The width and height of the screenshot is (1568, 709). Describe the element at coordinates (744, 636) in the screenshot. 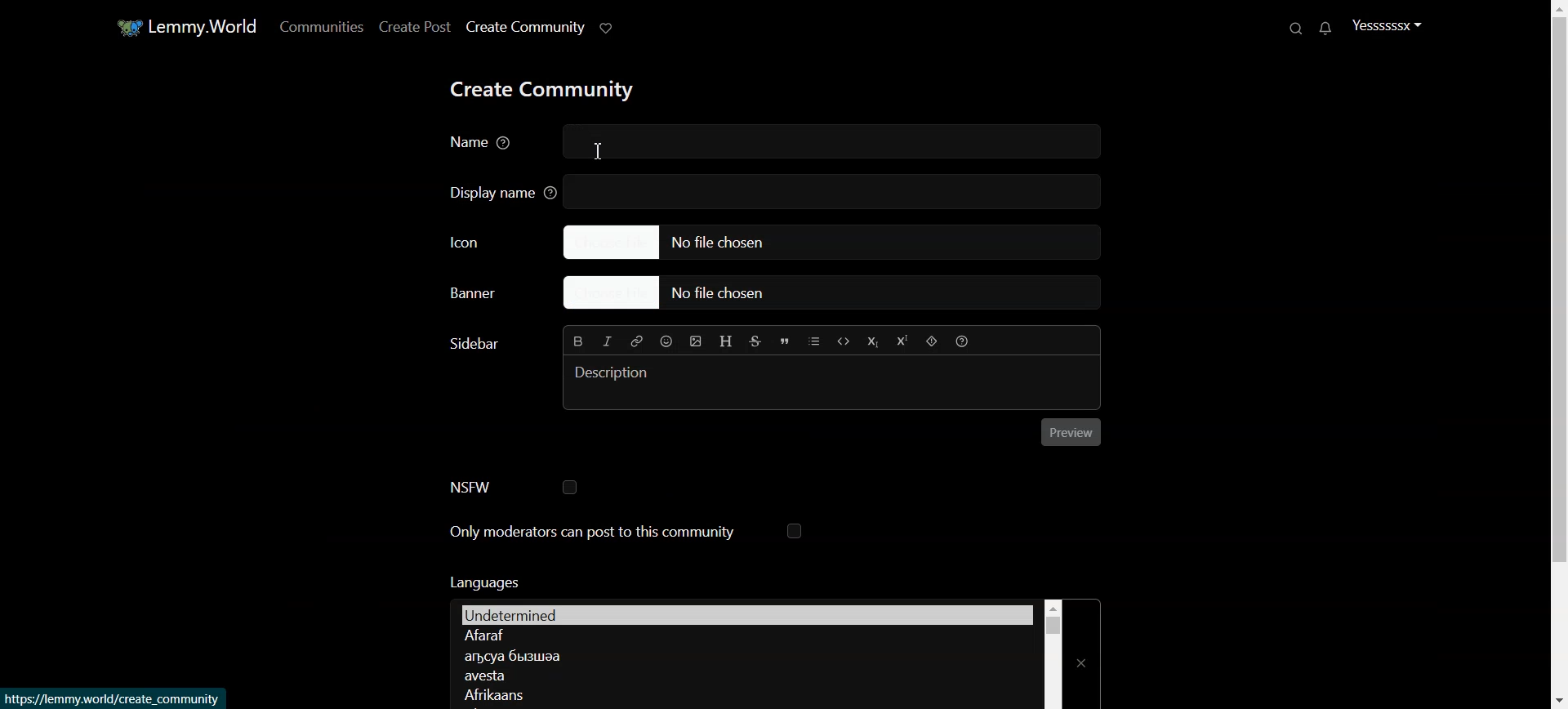

I see `Language` at that location.